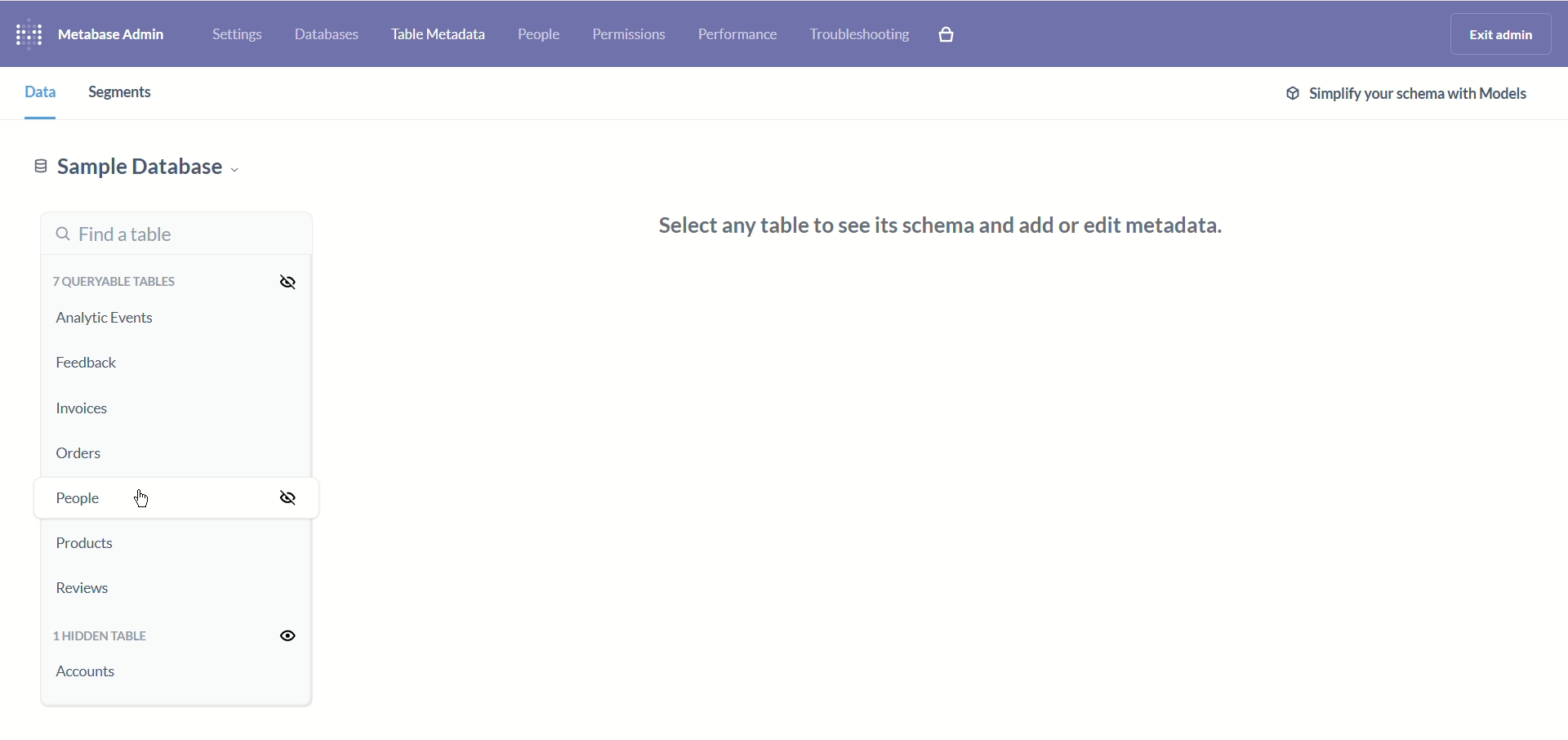  What do you see at coordinates (860, 33) in the screenshot?
I see `Troubleshooting` at bounding box center [860, 33].